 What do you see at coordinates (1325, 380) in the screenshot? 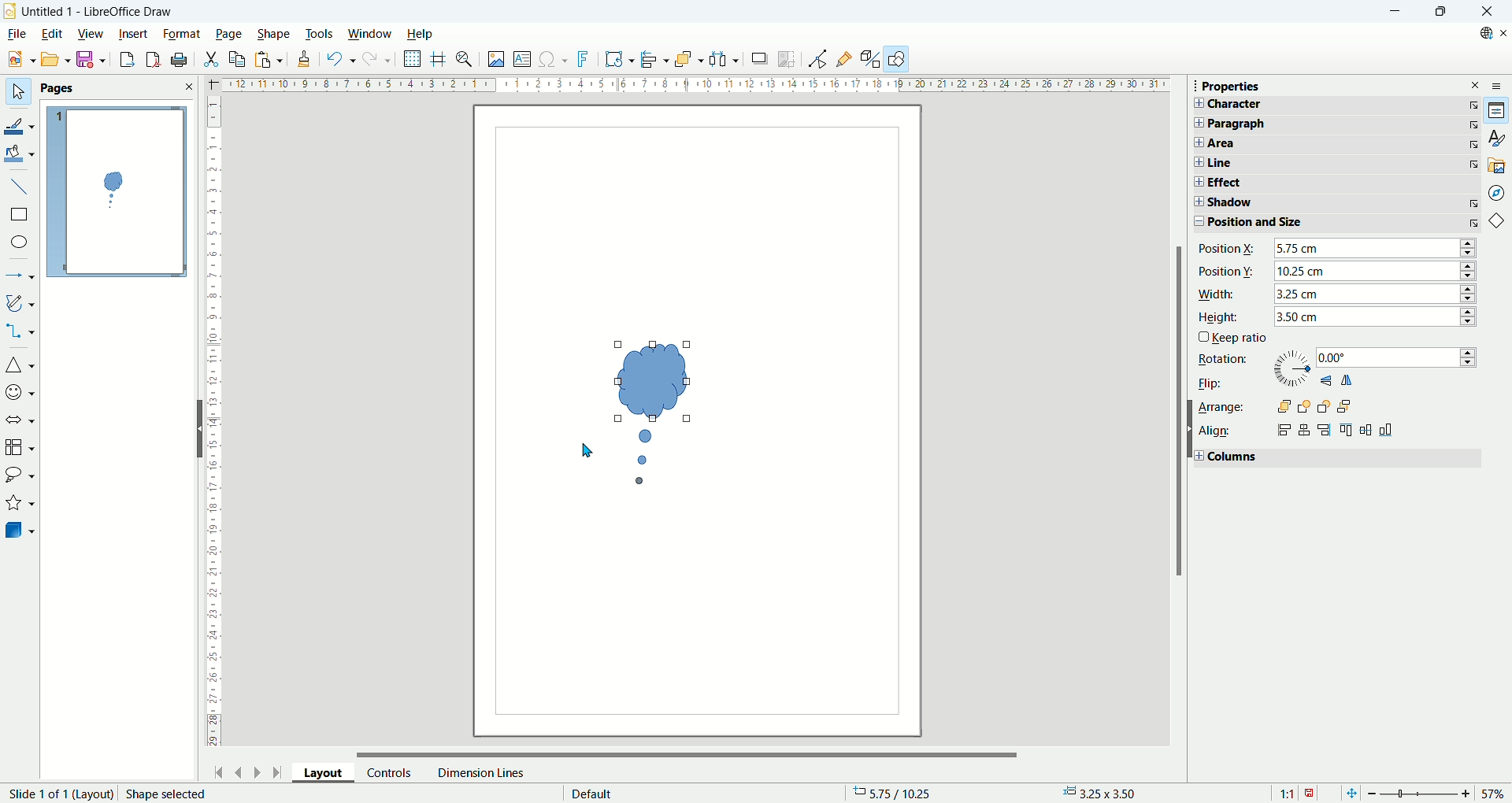
I see `Flip vertiacally` at bounding box center [1325, 380].